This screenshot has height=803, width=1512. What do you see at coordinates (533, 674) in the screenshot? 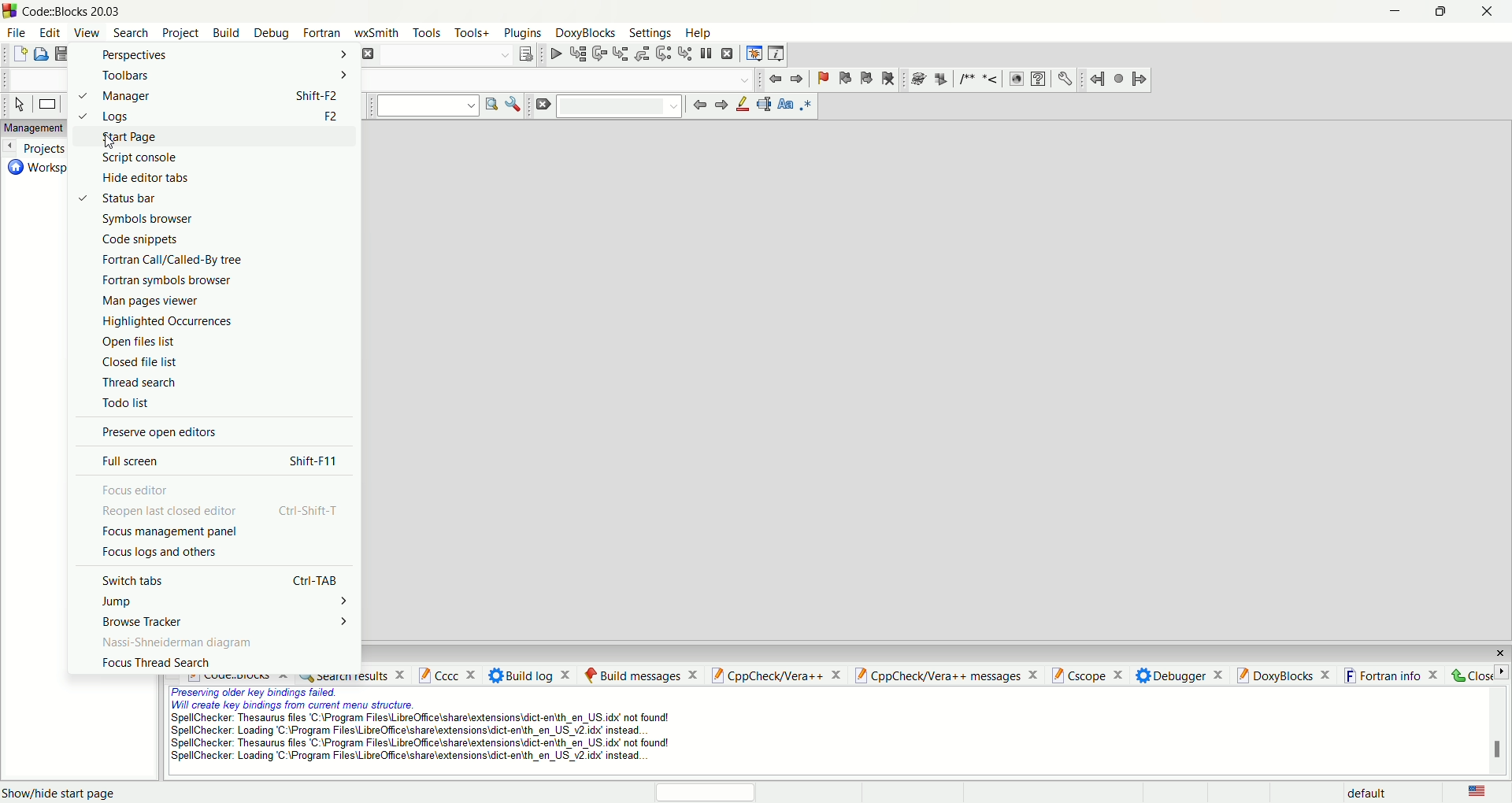
I see `build log` at bounding box center [533, 674].